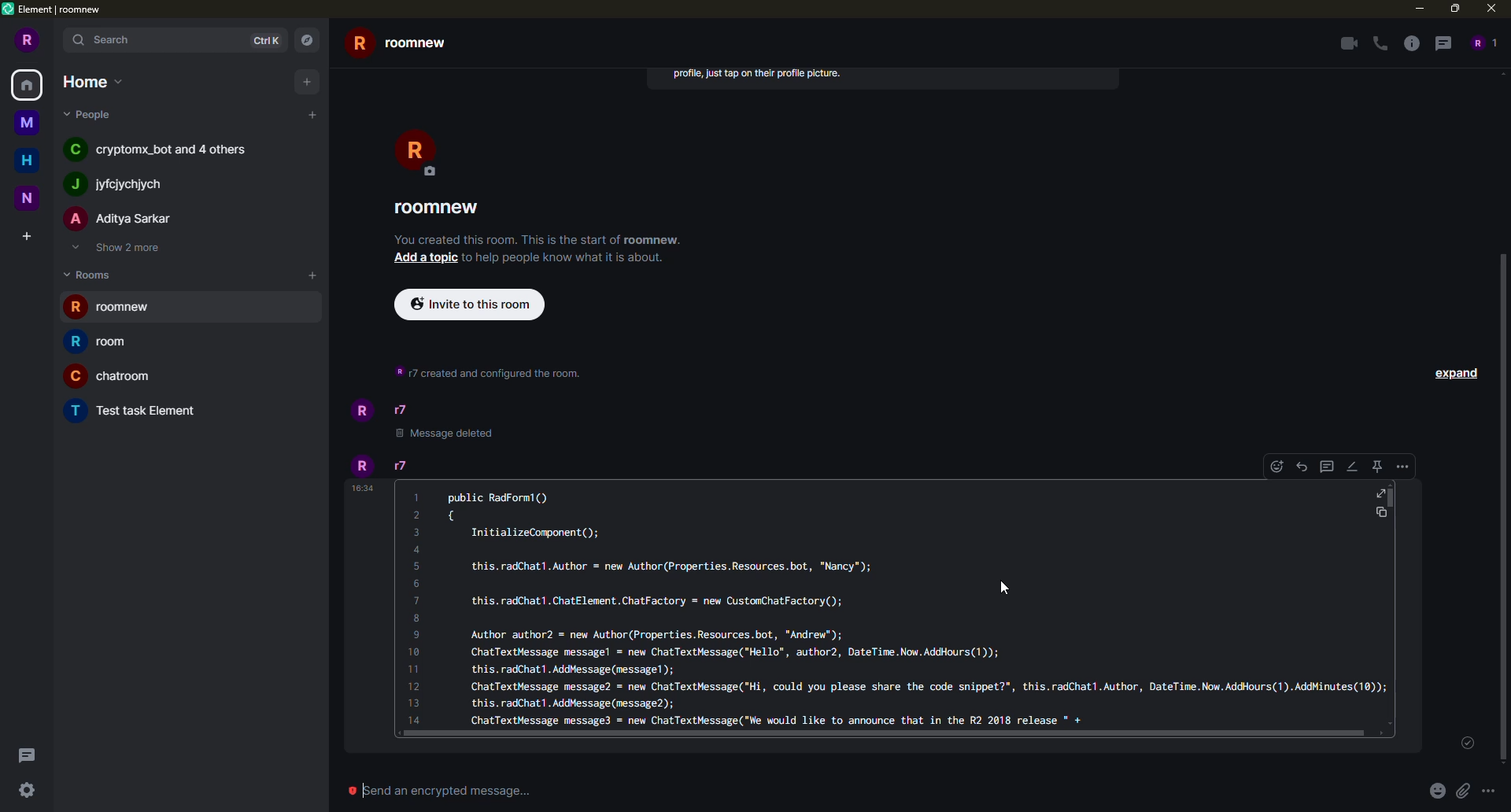 This screenshot has height=812, width=1511. What do you see at coordinates (120, 248) in the screenshot?
I see `show 2 more` at bounding box center [120, 248].